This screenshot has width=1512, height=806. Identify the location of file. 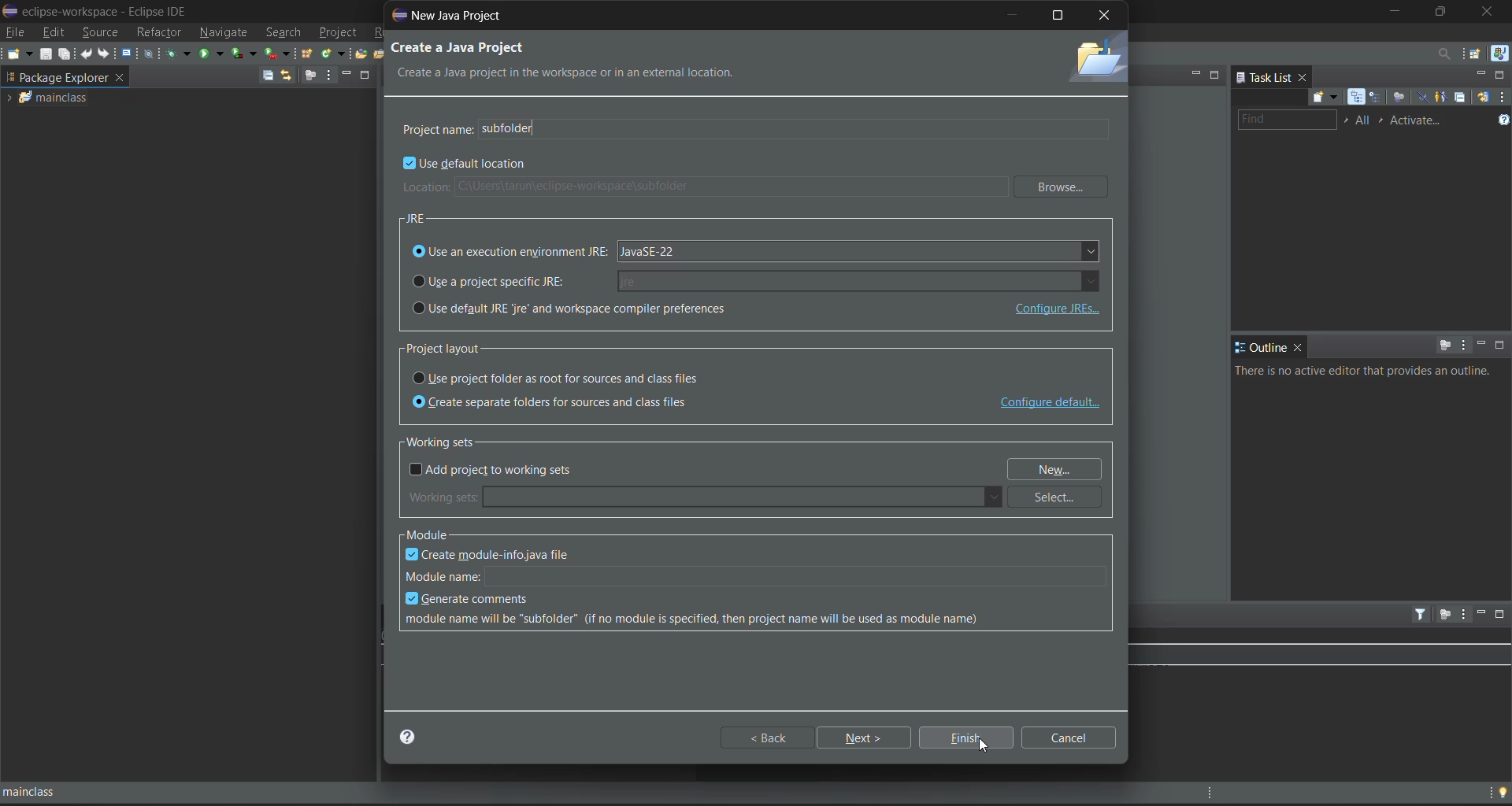
(16, 31).